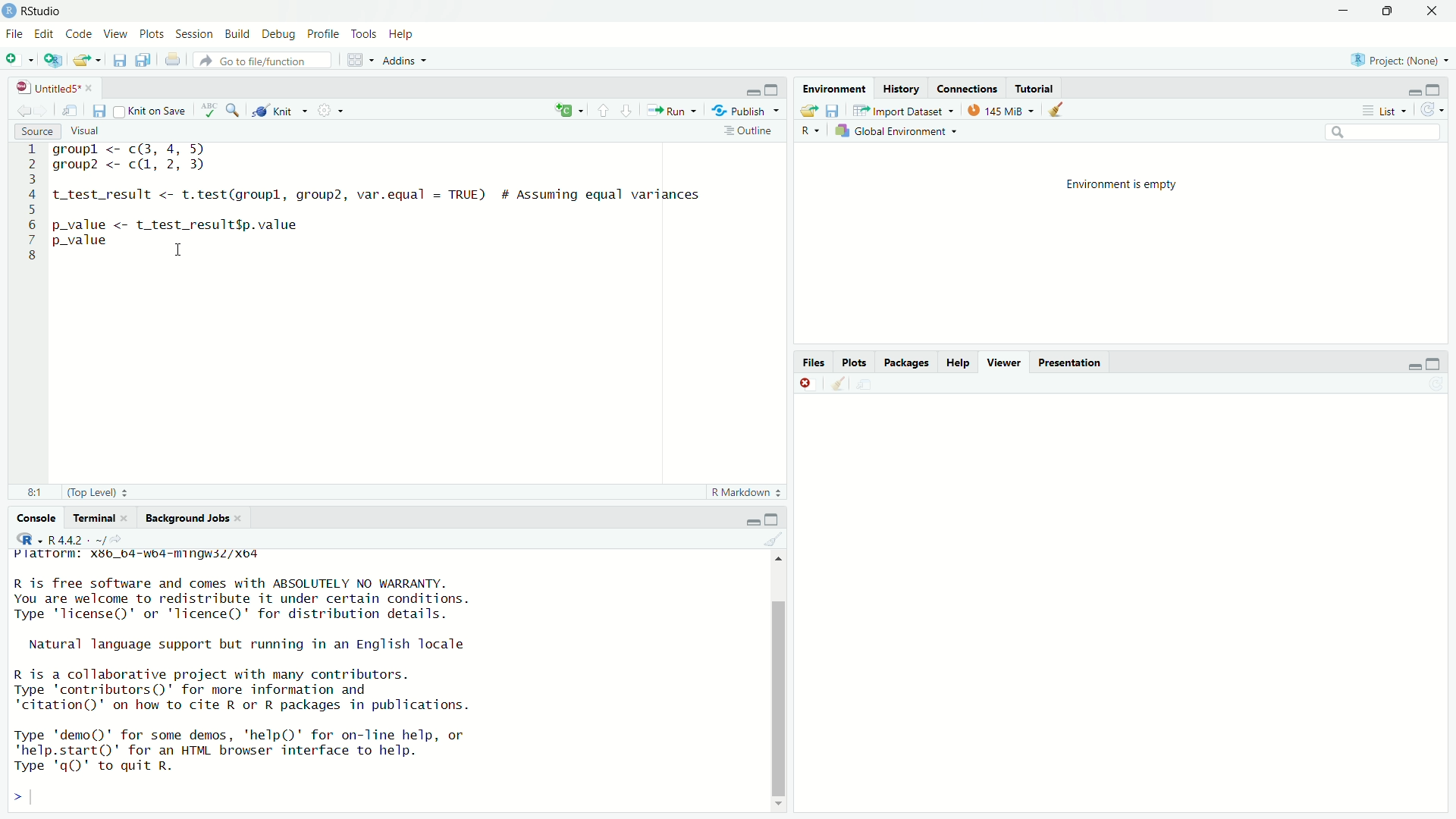 Image resolution: width=1456 pixels, height=819 pixels. Describe the element at coordinates (196, 32) in the screenshot. I see `Session` at that location.